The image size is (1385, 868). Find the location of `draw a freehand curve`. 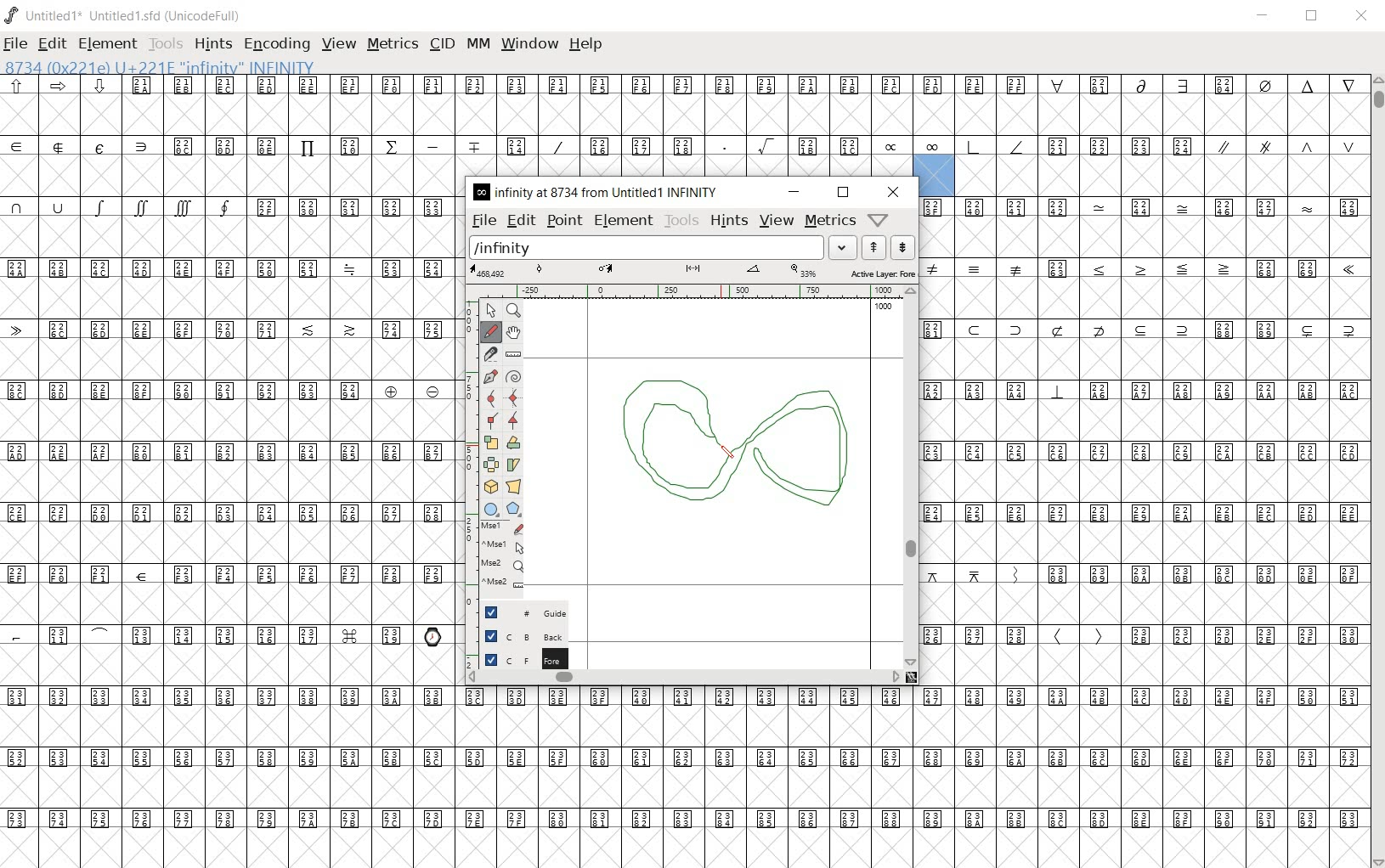

draw a freehand curve is located at coordinates (492, 332).